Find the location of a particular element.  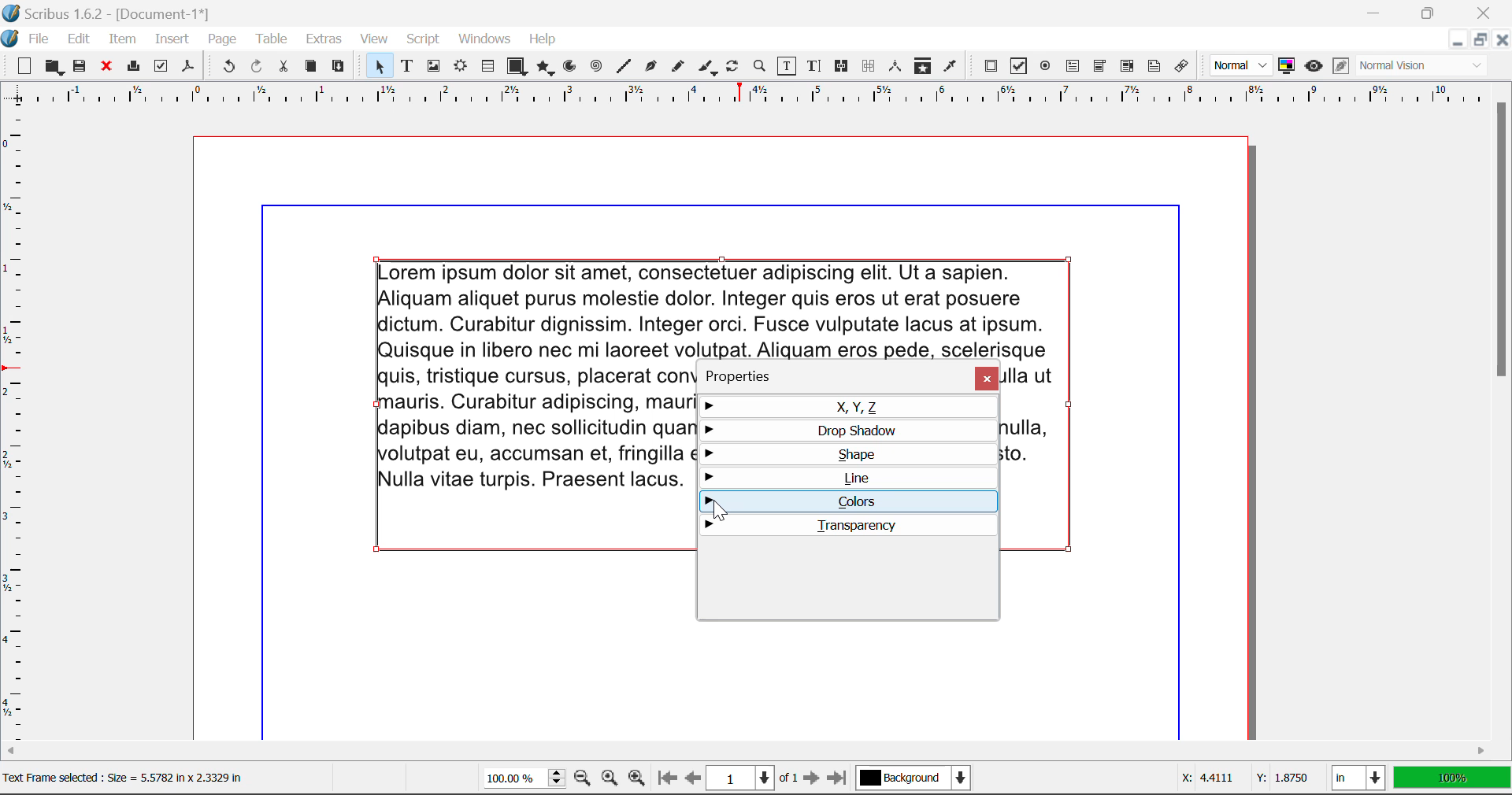

Polygons is located at coordinates (545, 69).